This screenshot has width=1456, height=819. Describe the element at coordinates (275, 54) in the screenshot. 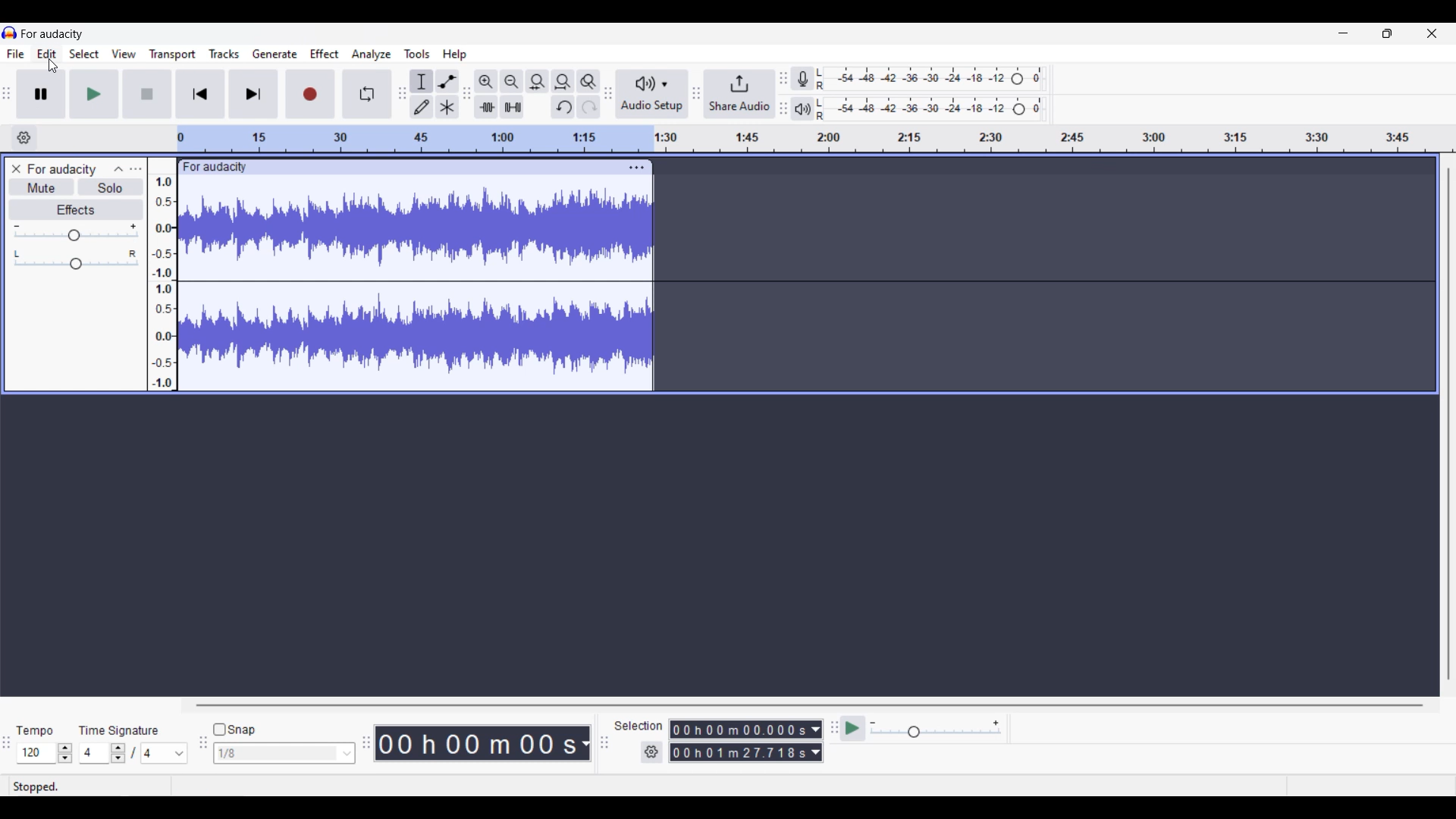

I see `Generate menu` at that location.